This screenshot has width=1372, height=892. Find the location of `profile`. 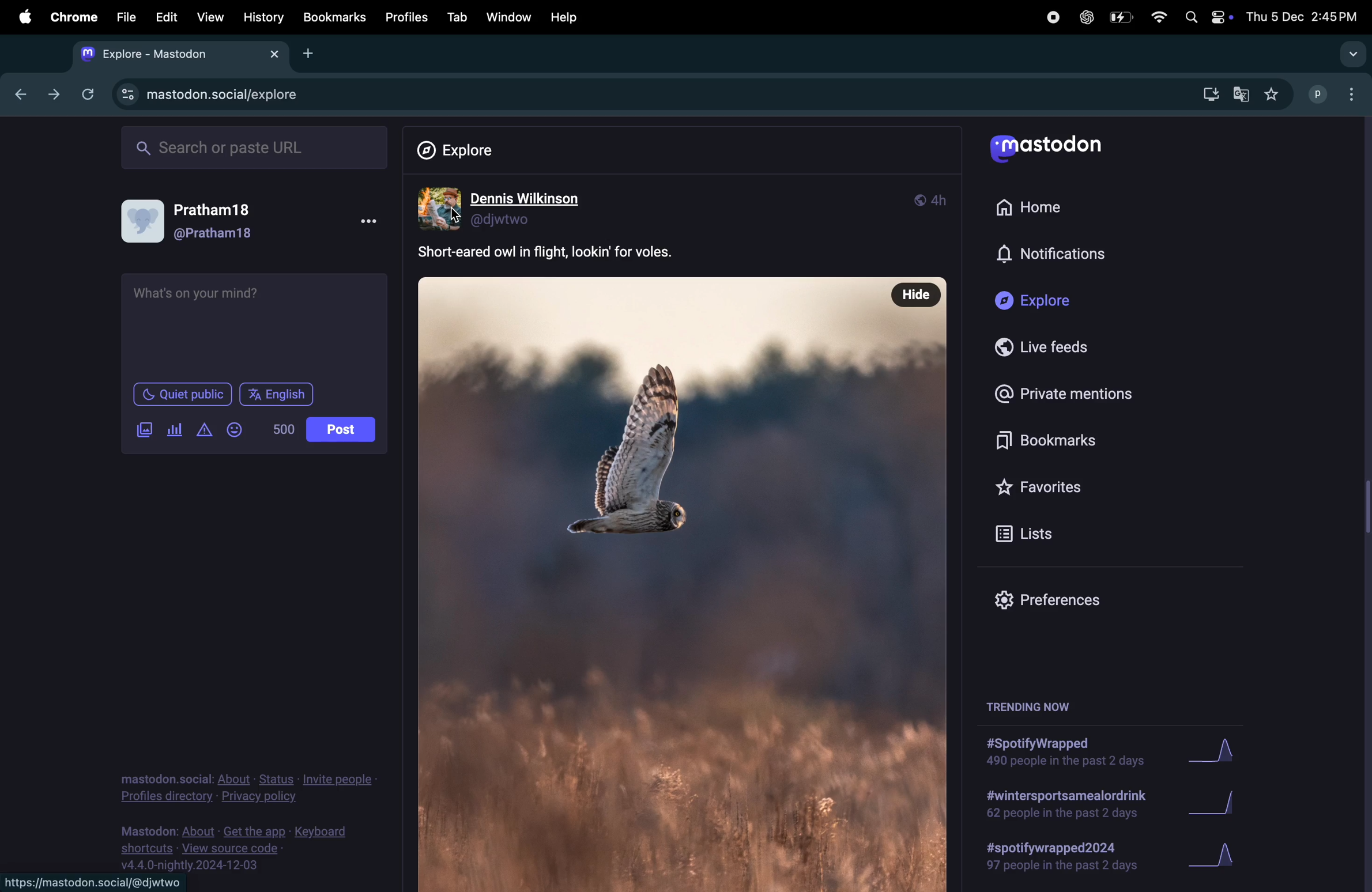

profile is located at coordinates (1317, 95).